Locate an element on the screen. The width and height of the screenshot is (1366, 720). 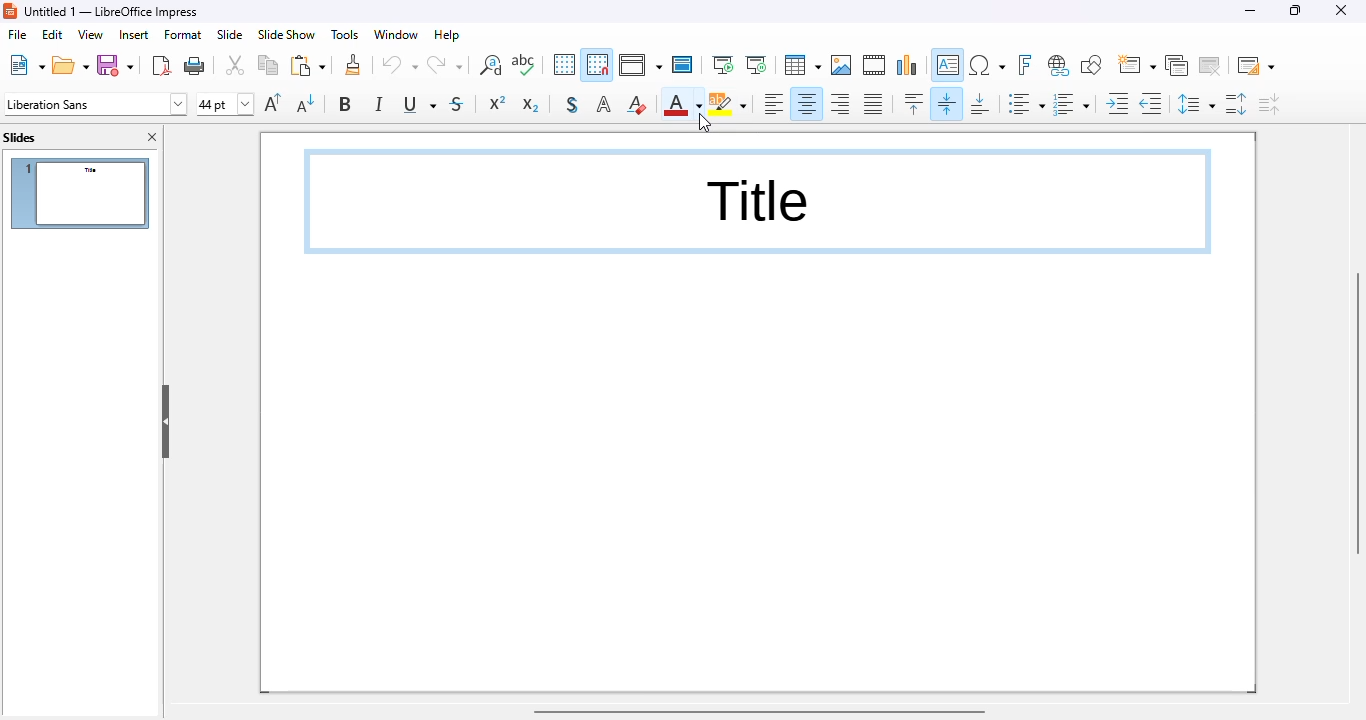
insert is located at coordinates (134, 35).